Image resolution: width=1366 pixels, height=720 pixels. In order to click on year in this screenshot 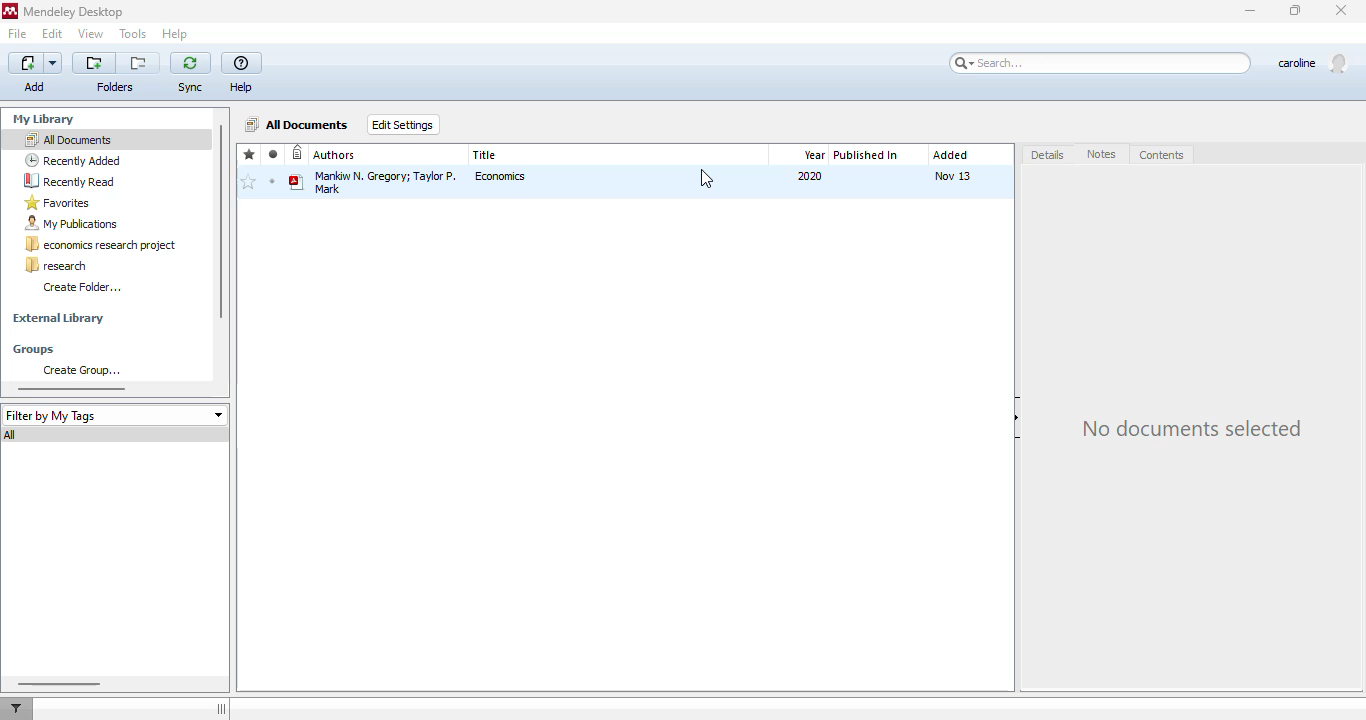, I will do `click(814, 155)`.